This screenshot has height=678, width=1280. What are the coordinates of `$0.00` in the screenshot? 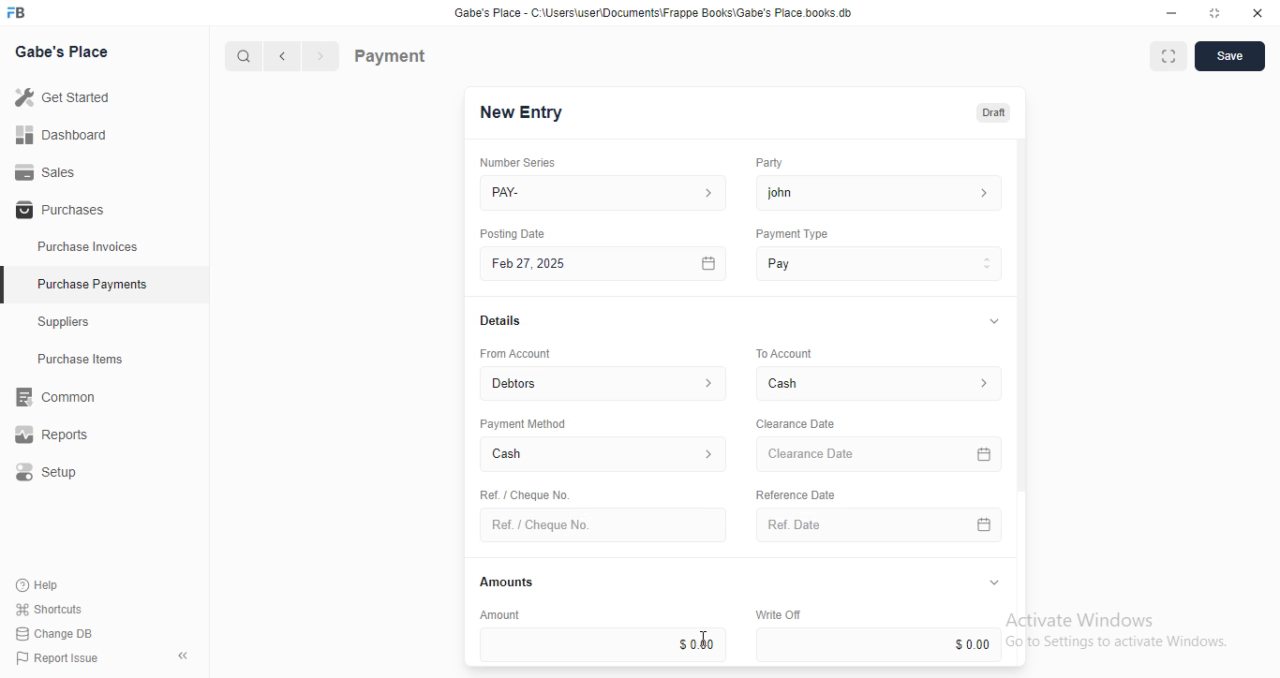 It's located at (603, 644).